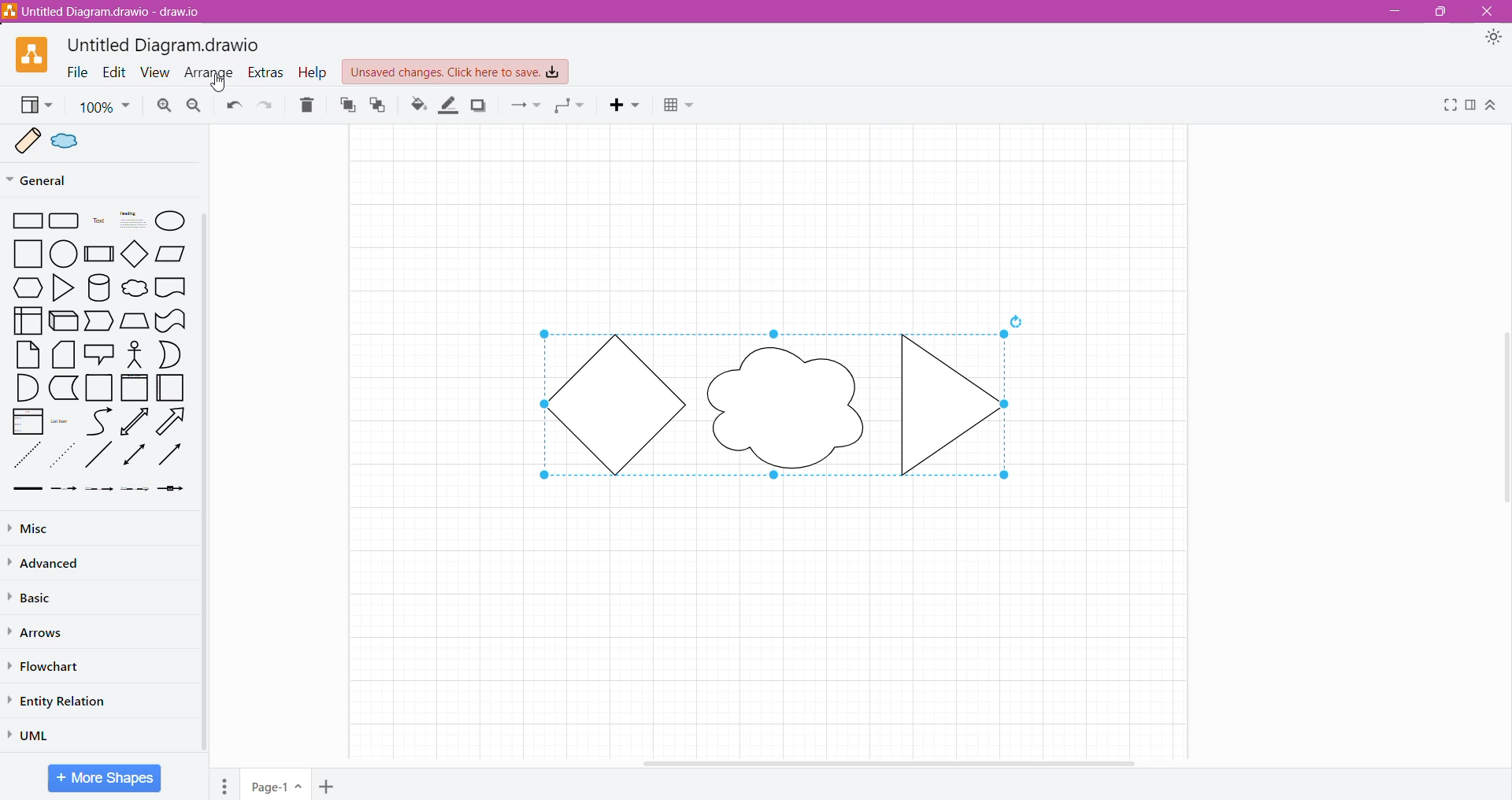 This screenshot has width=1512, height=800. I want to click on Horizontal Scroll Bar, so click(891, 761).